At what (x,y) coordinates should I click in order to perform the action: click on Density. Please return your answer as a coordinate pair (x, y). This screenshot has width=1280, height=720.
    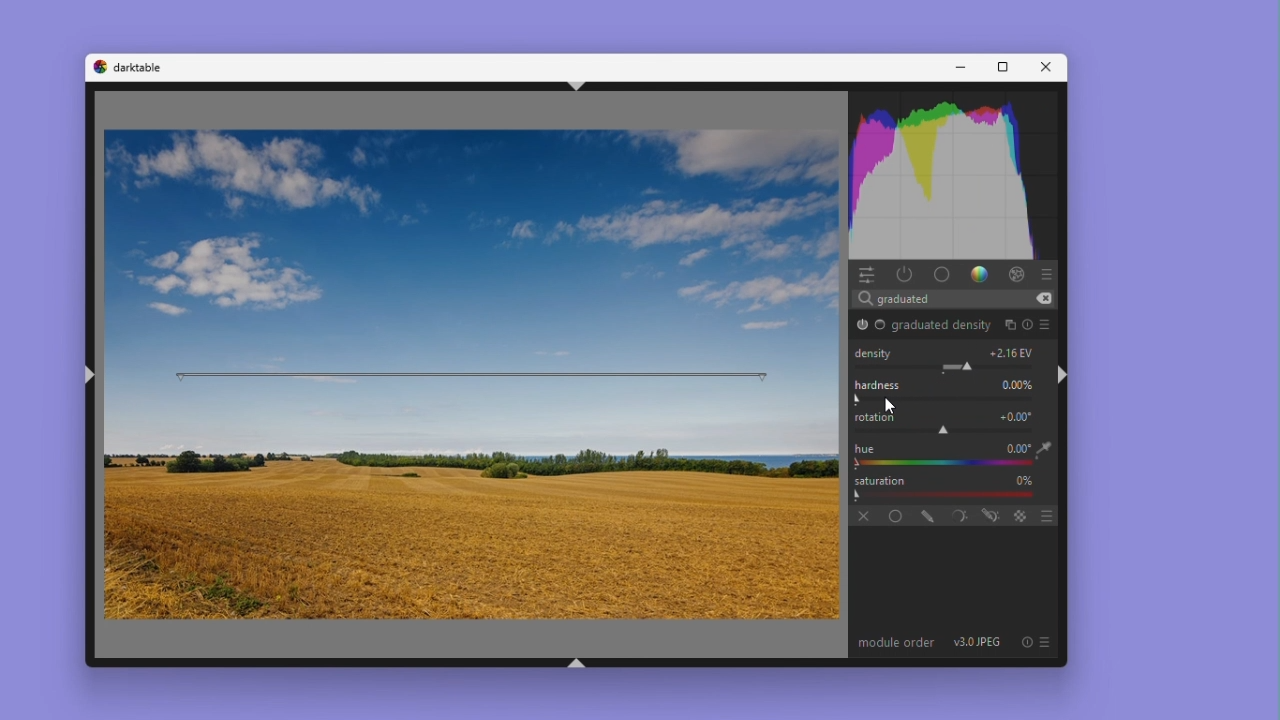
    Looking at the image, I should click on (876, 352).